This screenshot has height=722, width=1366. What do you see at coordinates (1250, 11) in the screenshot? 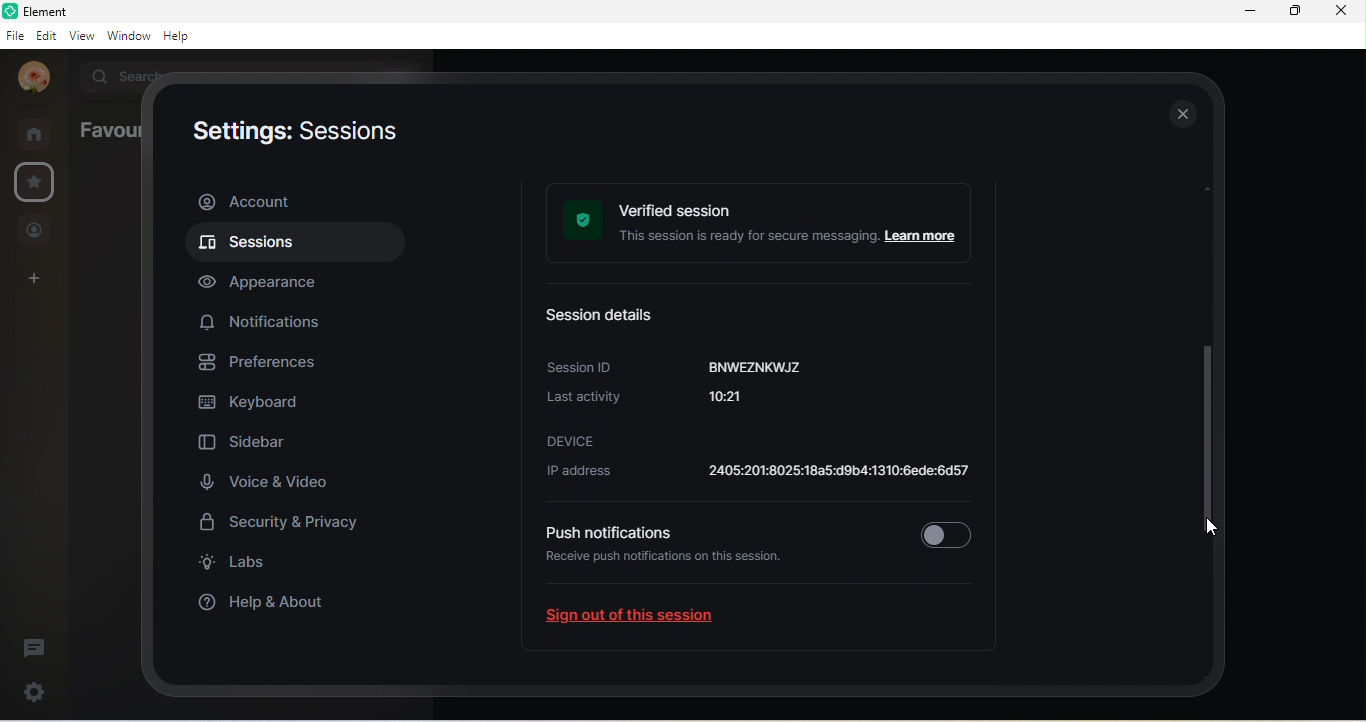
I see `minimize` at bounding box center [1250, 11].